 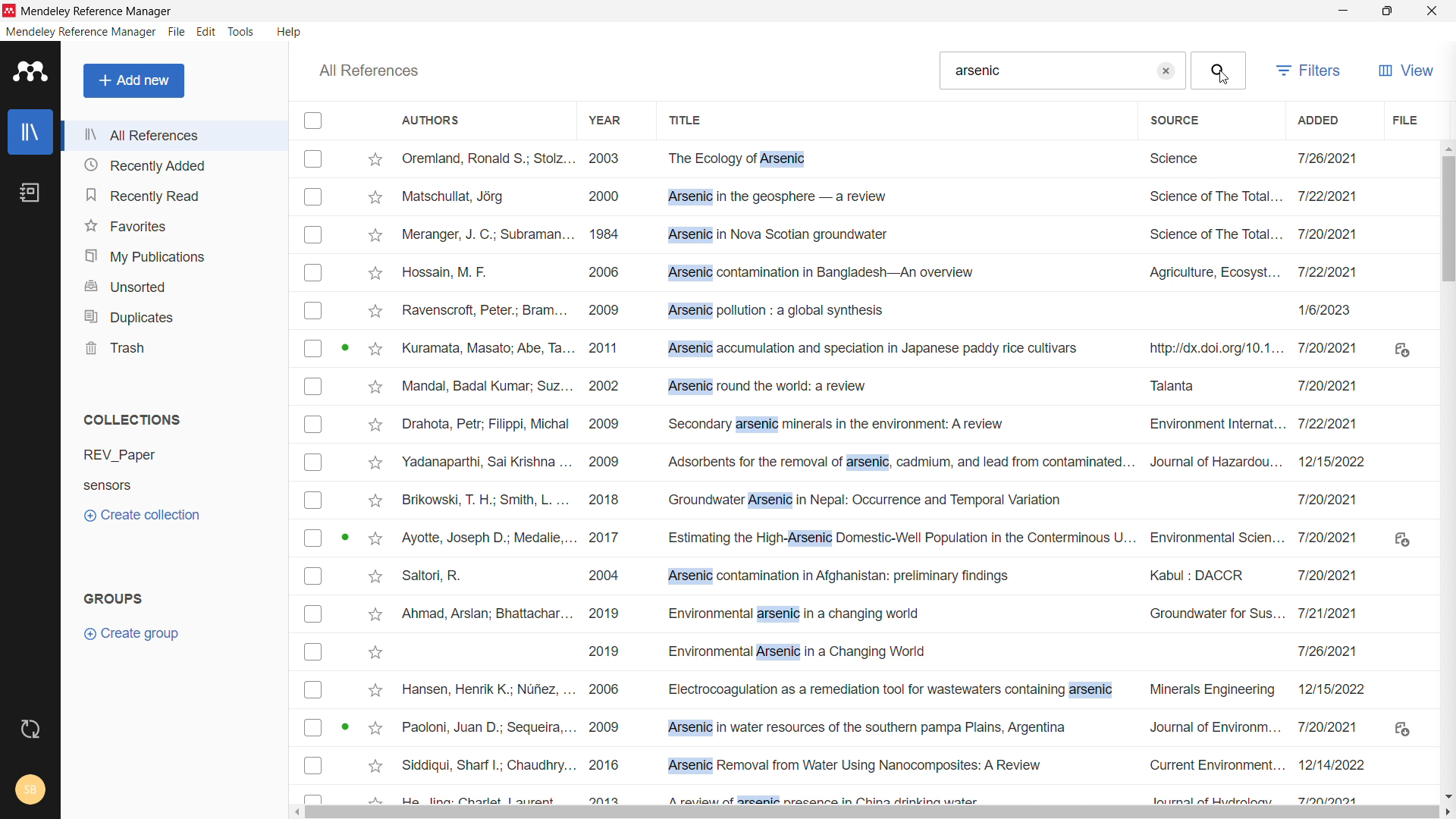 I want to click on Add to favorites, so click(x=376, y=538).